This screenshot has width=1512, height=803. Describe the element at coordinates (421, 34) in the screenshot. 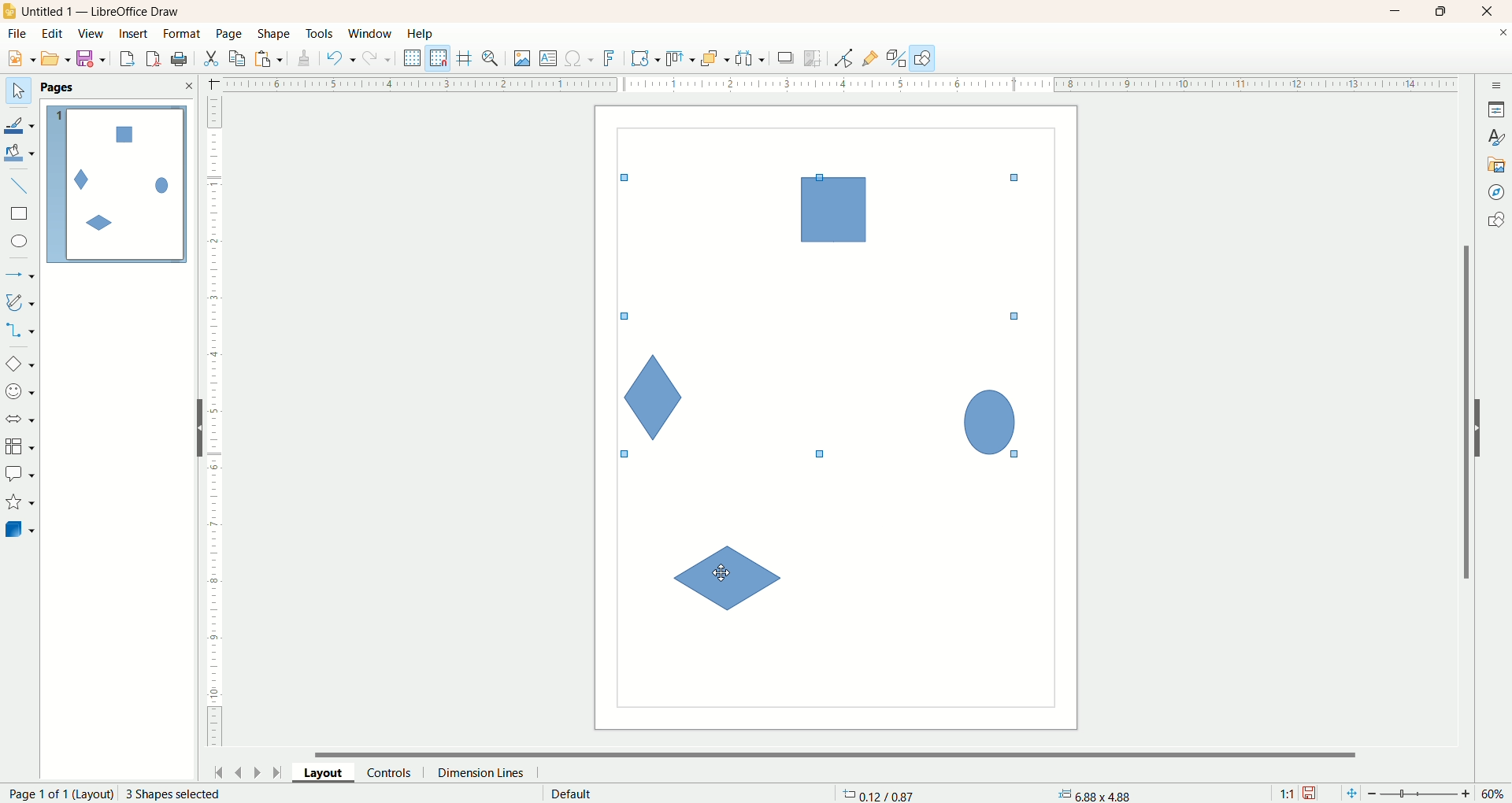

I see `help` at that location.